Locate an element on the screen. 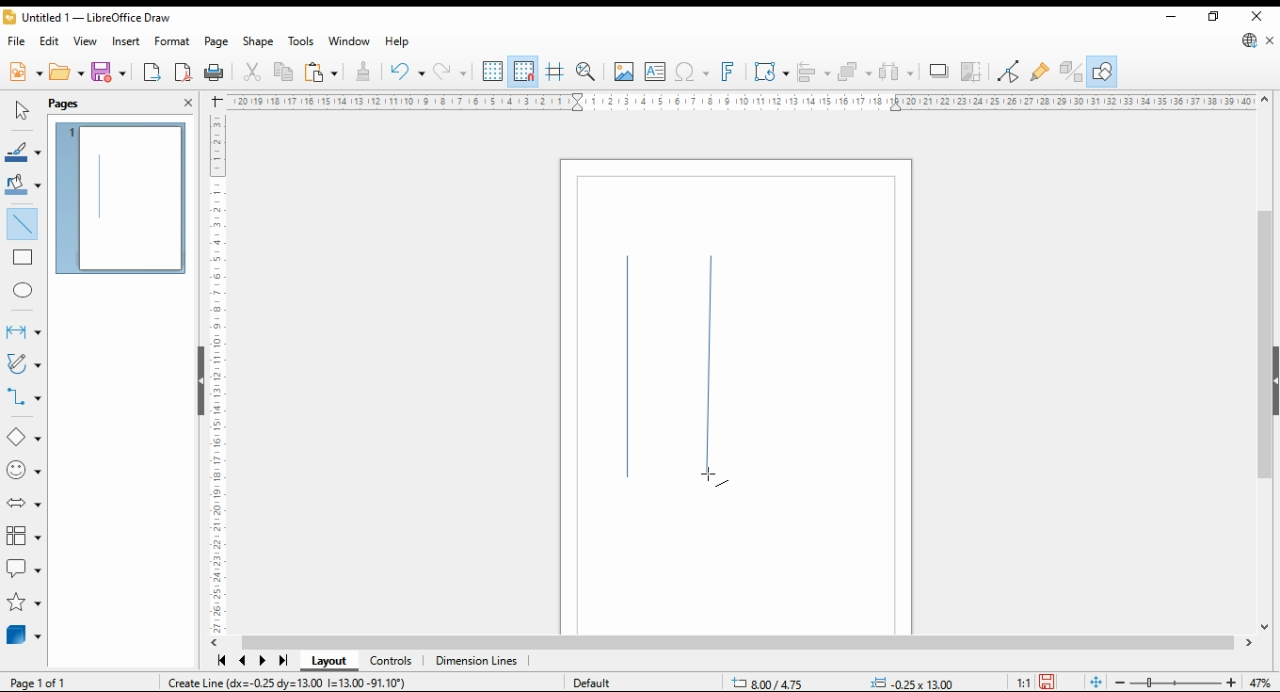 The width and height of the screenshot is (1280, 692). help is located at coordinates (398, 42).